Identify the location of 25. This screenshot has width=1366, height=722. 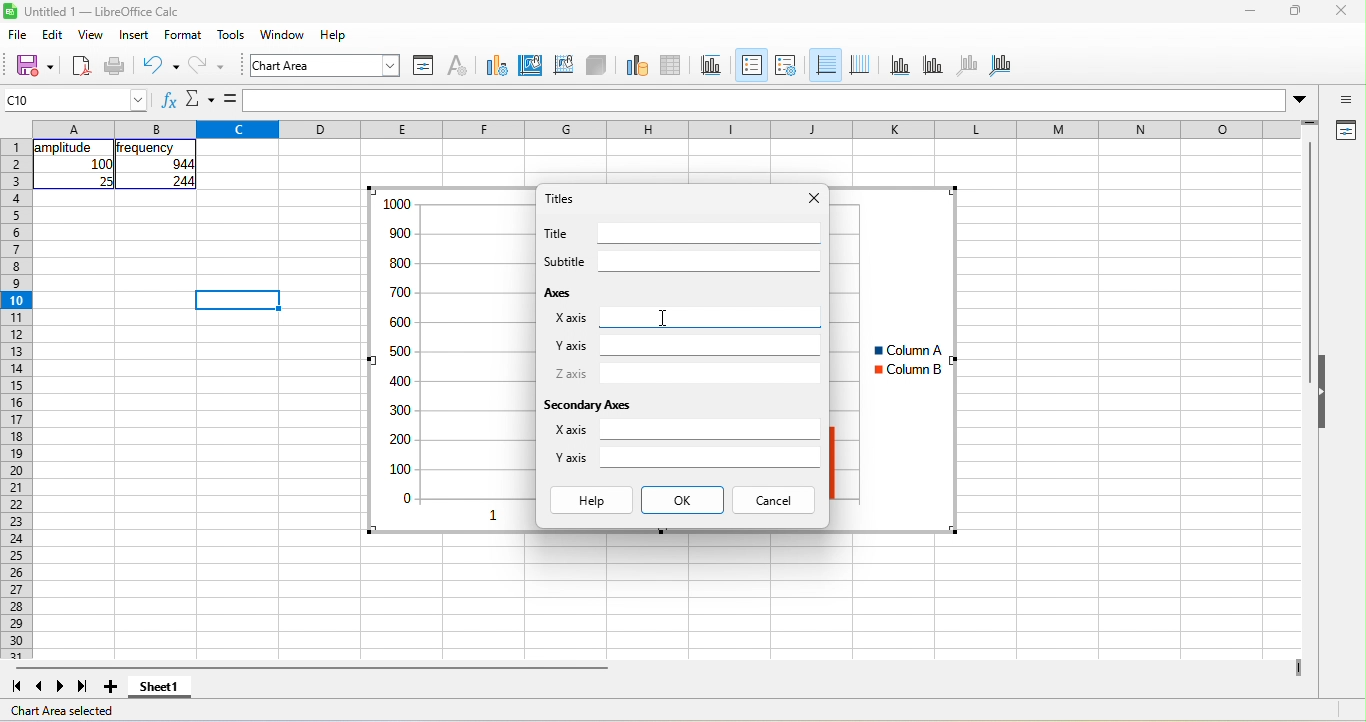
(105, 181).